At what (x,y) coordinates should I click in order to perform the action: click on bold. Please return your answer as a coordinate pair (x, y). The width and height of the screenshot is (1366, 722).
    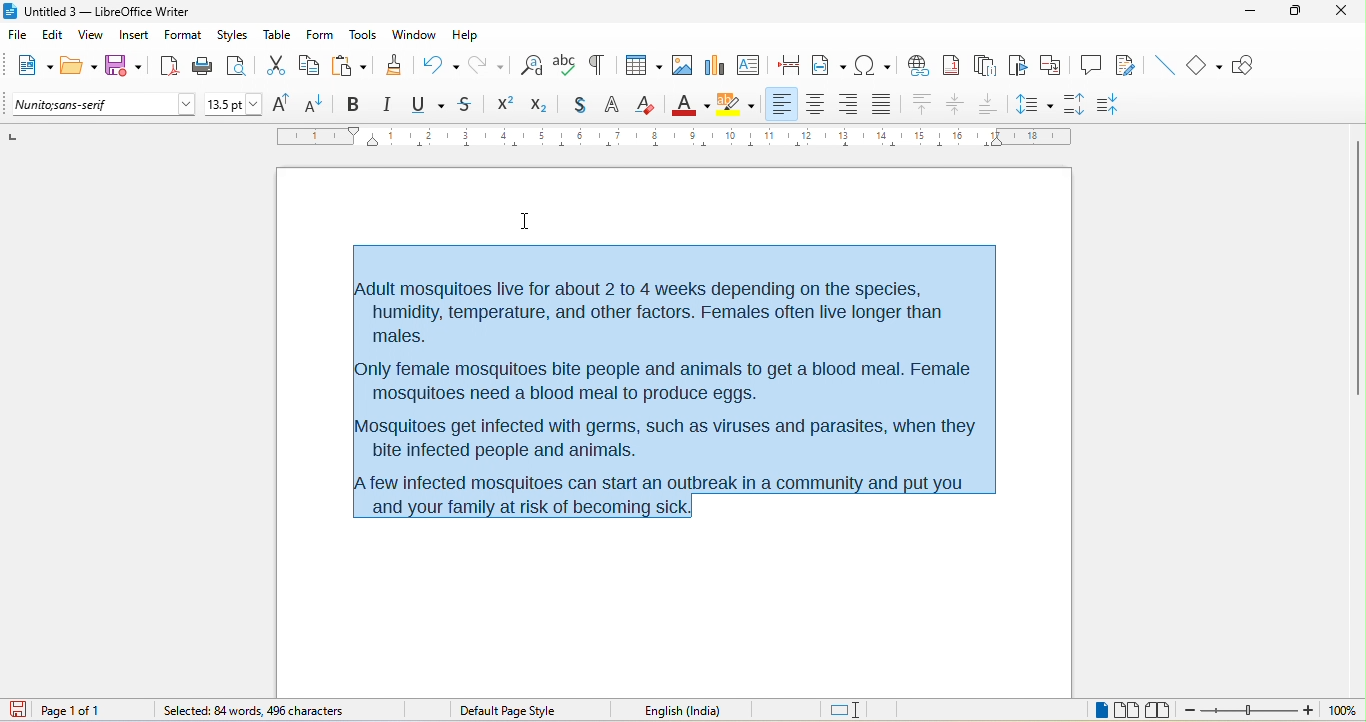
    Looking at the image, I should click on (353, 105).